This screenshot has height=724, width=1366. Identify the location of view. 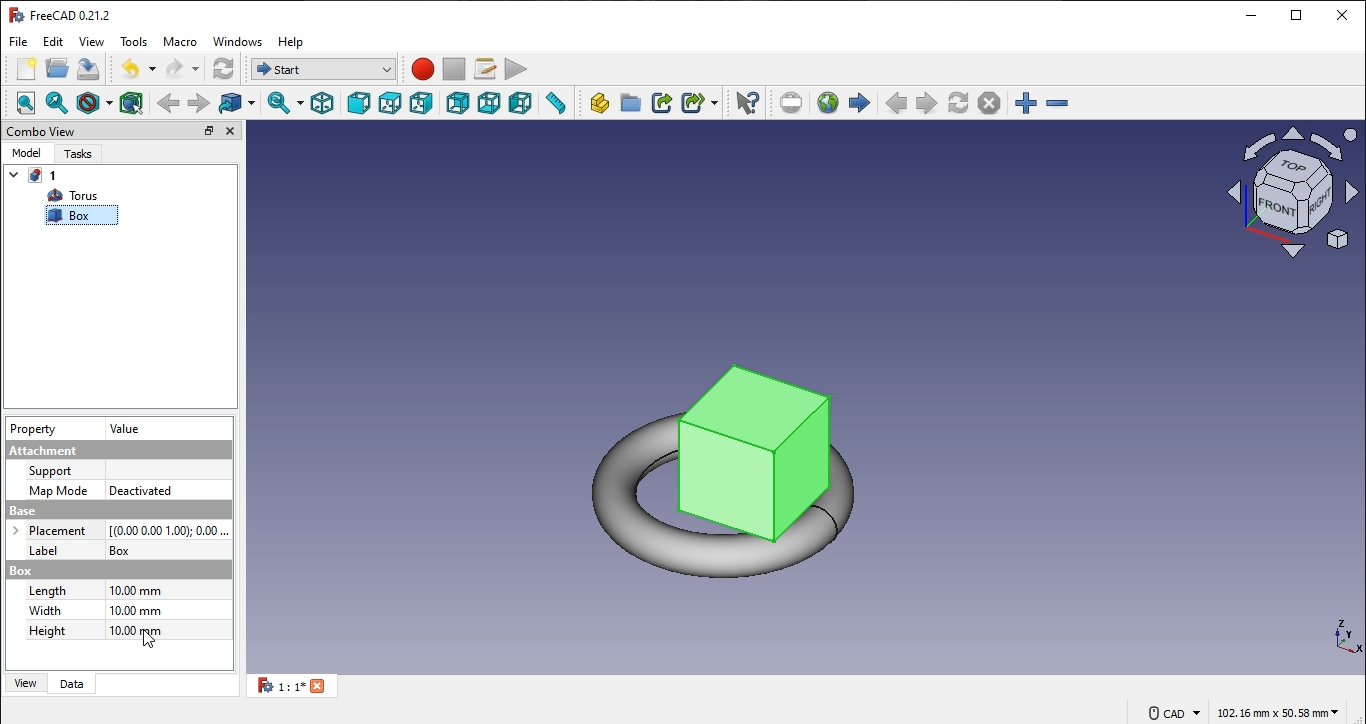
(26, 684).